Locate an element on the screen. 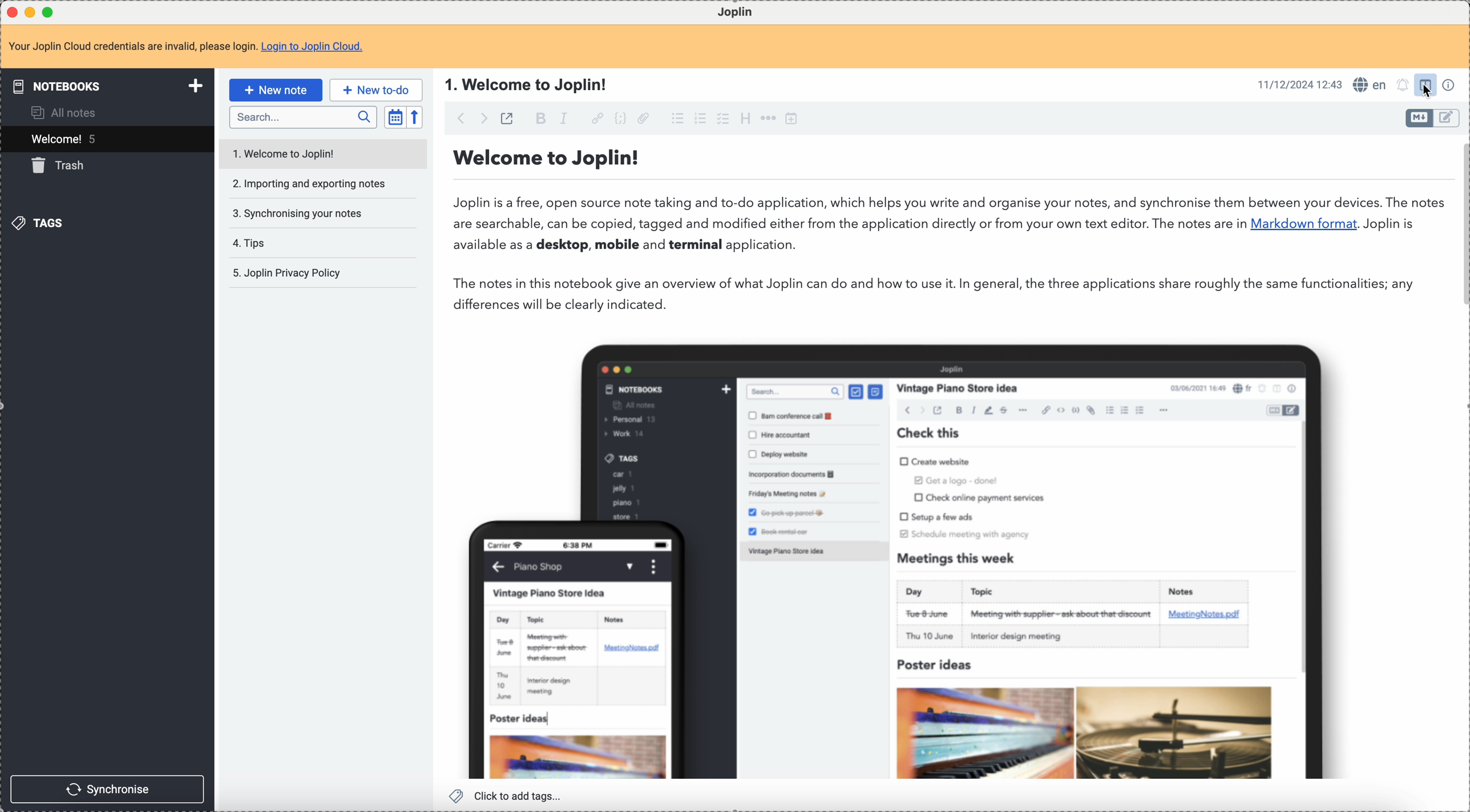 The width and height of the screenshot is (1470, 812). synchronising your notes is located at coordinates (297, 212).